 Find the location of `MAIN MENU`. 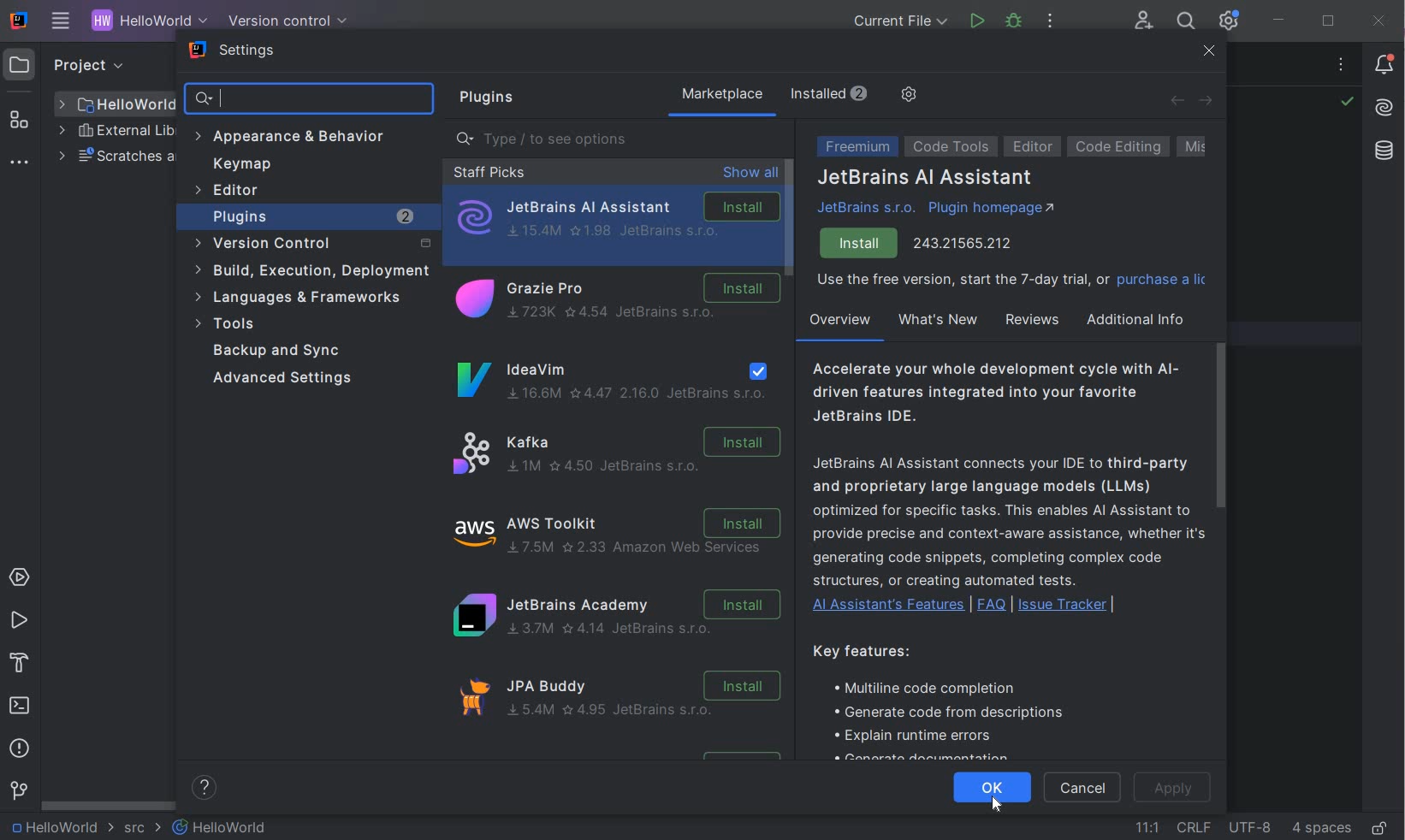

MAIN MENU is located at coordinates (56, 22).